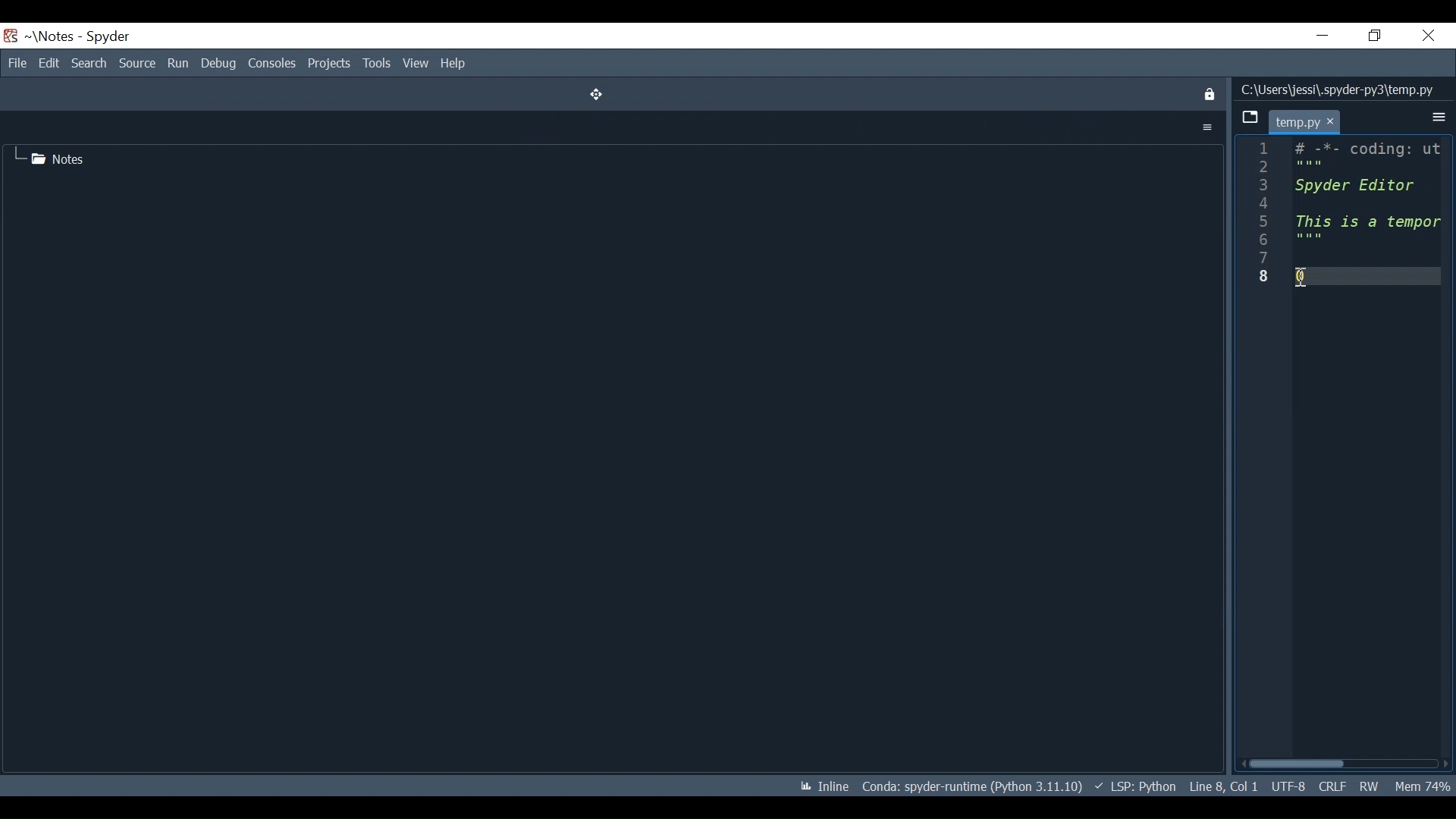  Describe the element at coordinates (1333, 124) in the screenshot. I see `cursor` at that location.